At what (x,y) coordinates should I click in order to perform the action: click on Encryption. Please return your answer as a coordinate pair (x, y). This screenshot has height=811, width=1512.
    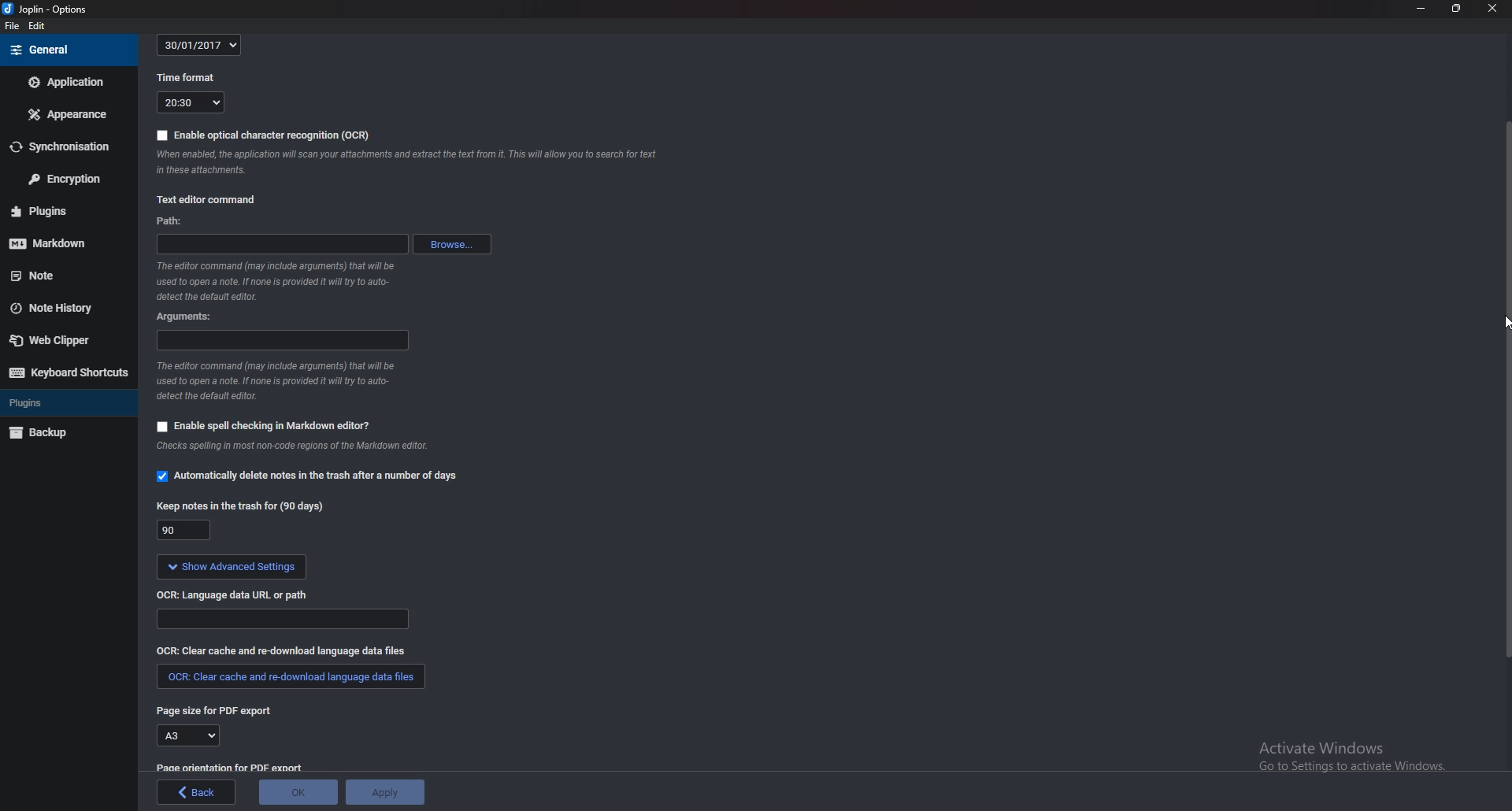
    Looking at the image, I should click on (66, 178).